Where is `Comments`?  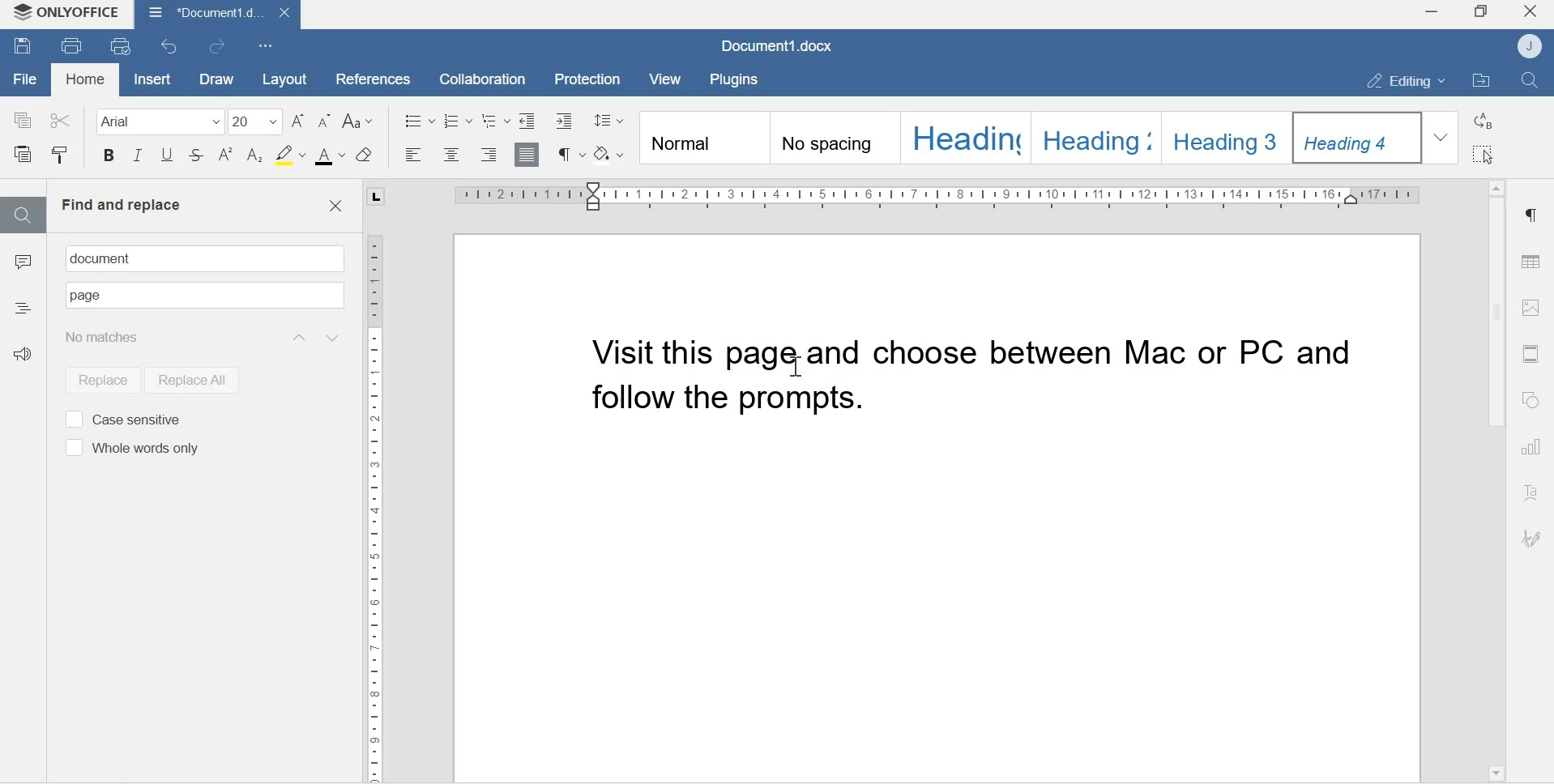
Comments is located at coordinates (23, 266).